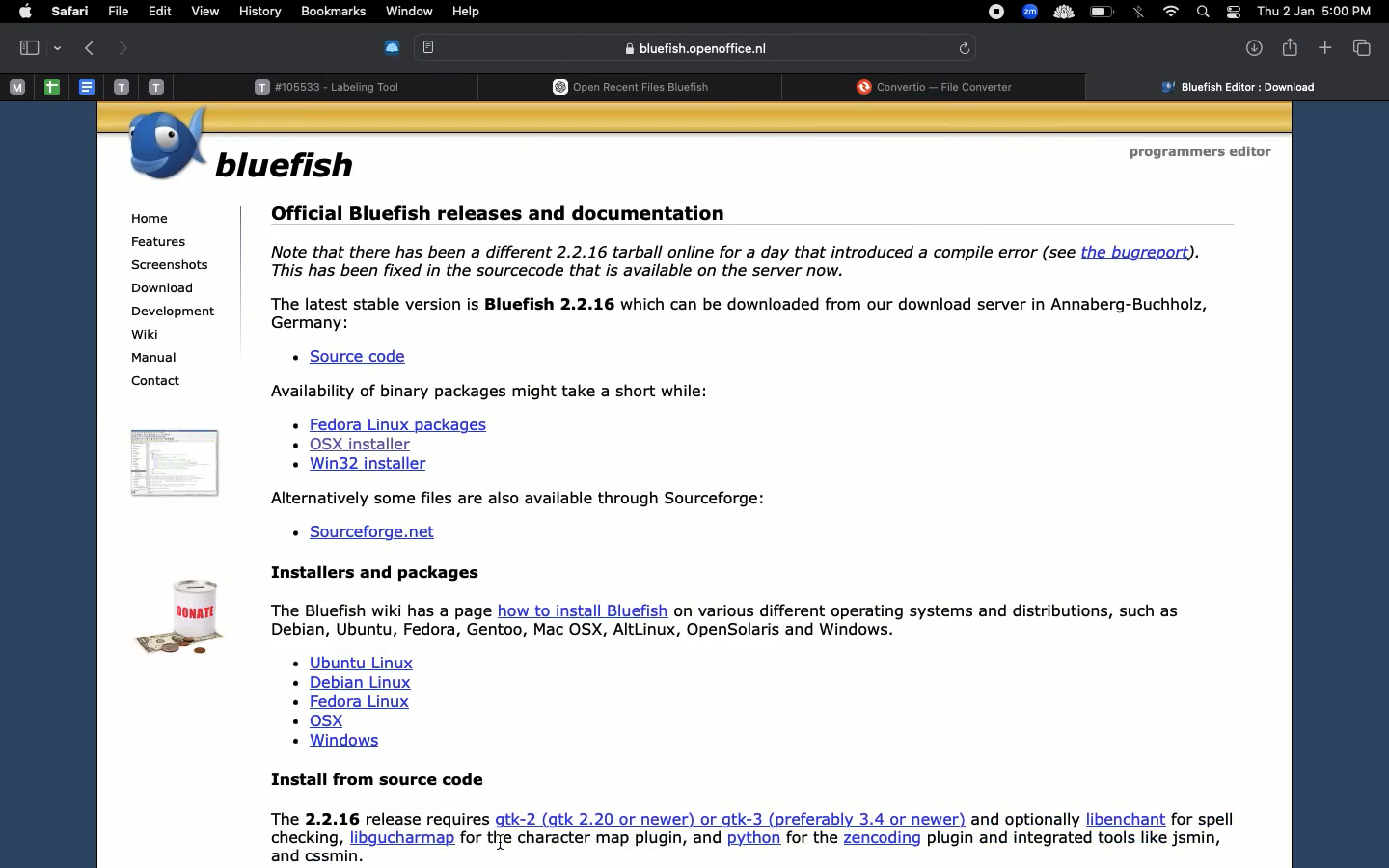 This screenshot has width=1389, height=868. I want to click on download, so click(1248, 46).